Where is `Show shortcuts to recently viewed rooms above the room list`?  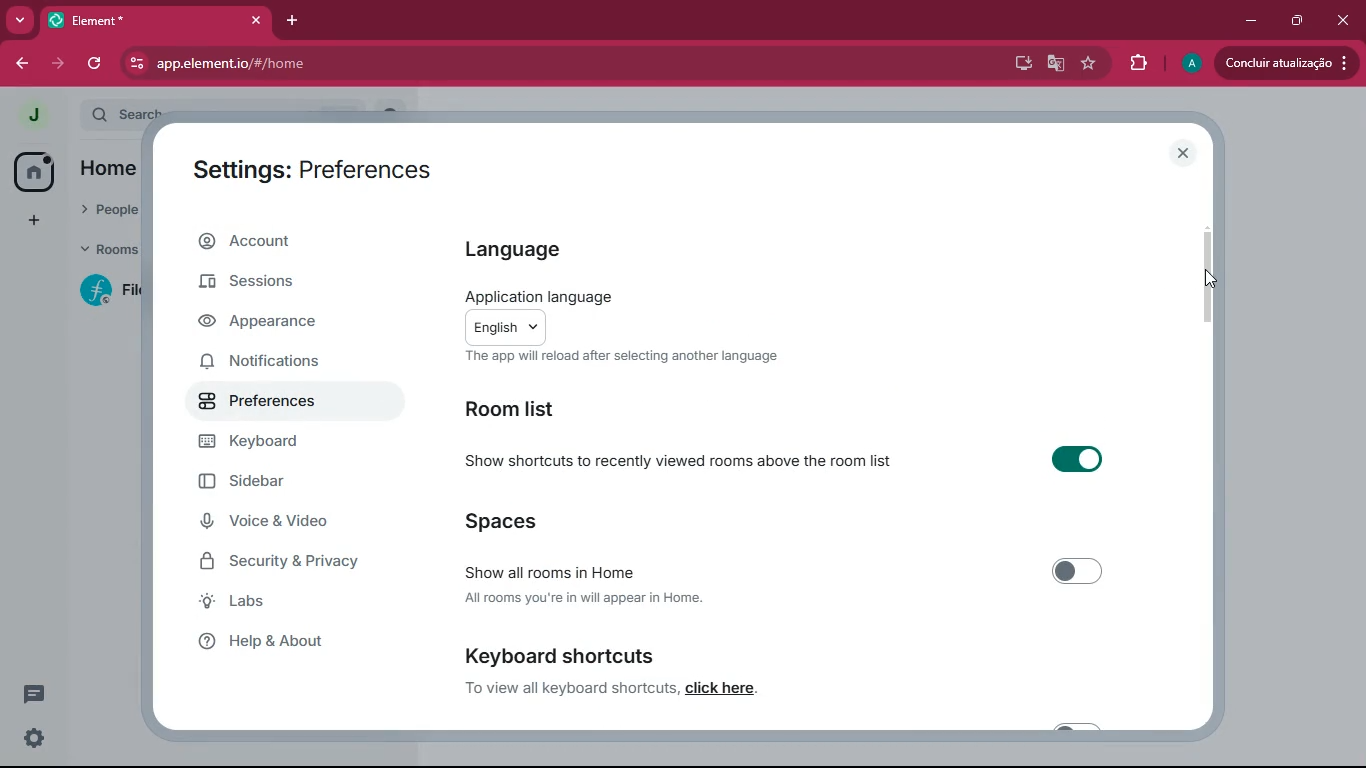
Show shortcuts to recently viewed rooms above the room list is located at coordinates (789, 461).